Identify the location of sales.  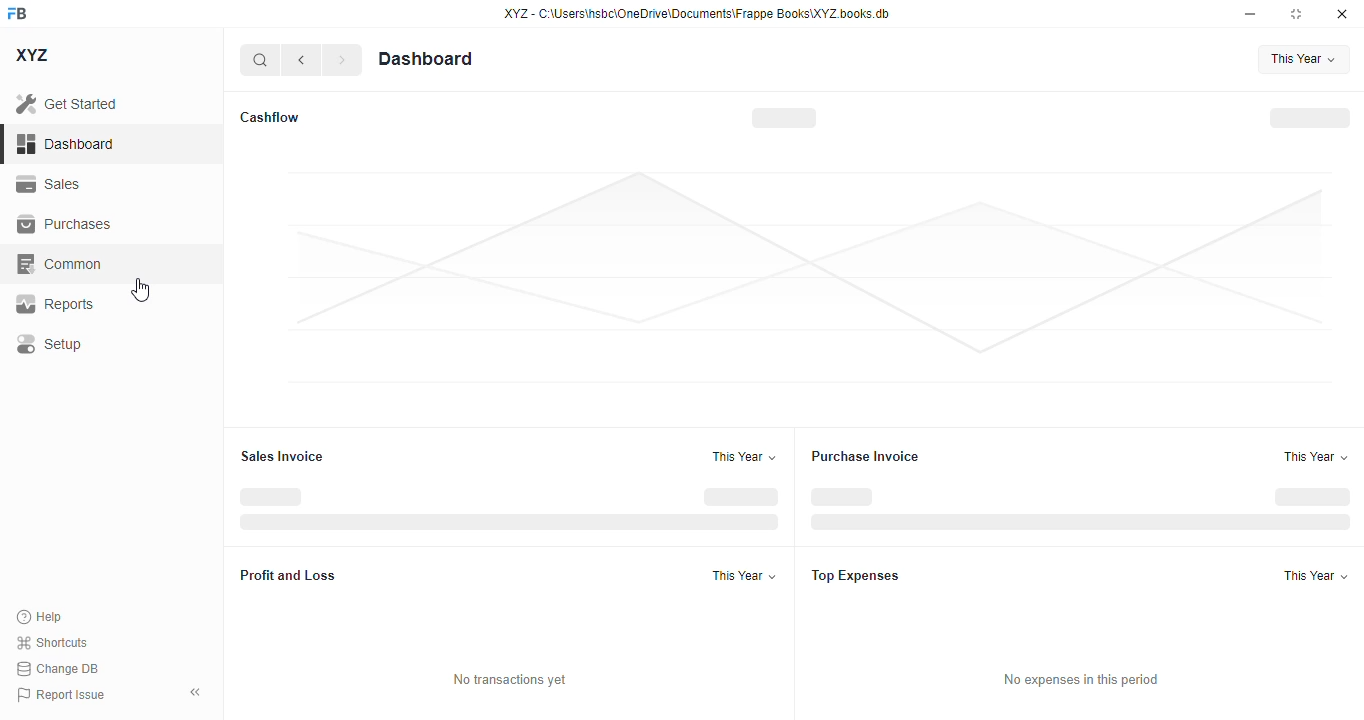
(48, 184).